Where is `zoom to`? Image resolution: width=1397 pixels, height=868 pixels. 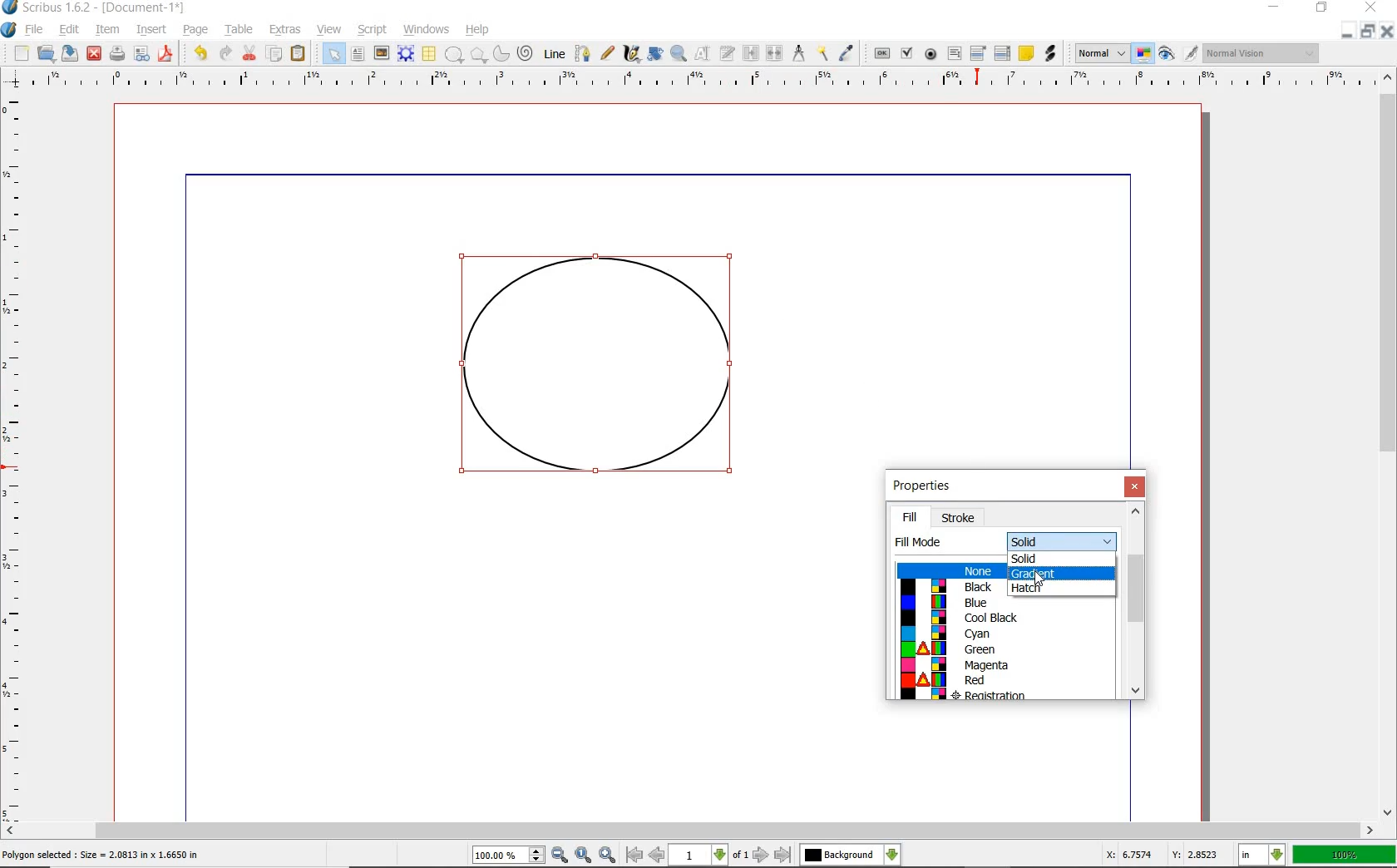 zoom to is located at coordinates (585, 855).